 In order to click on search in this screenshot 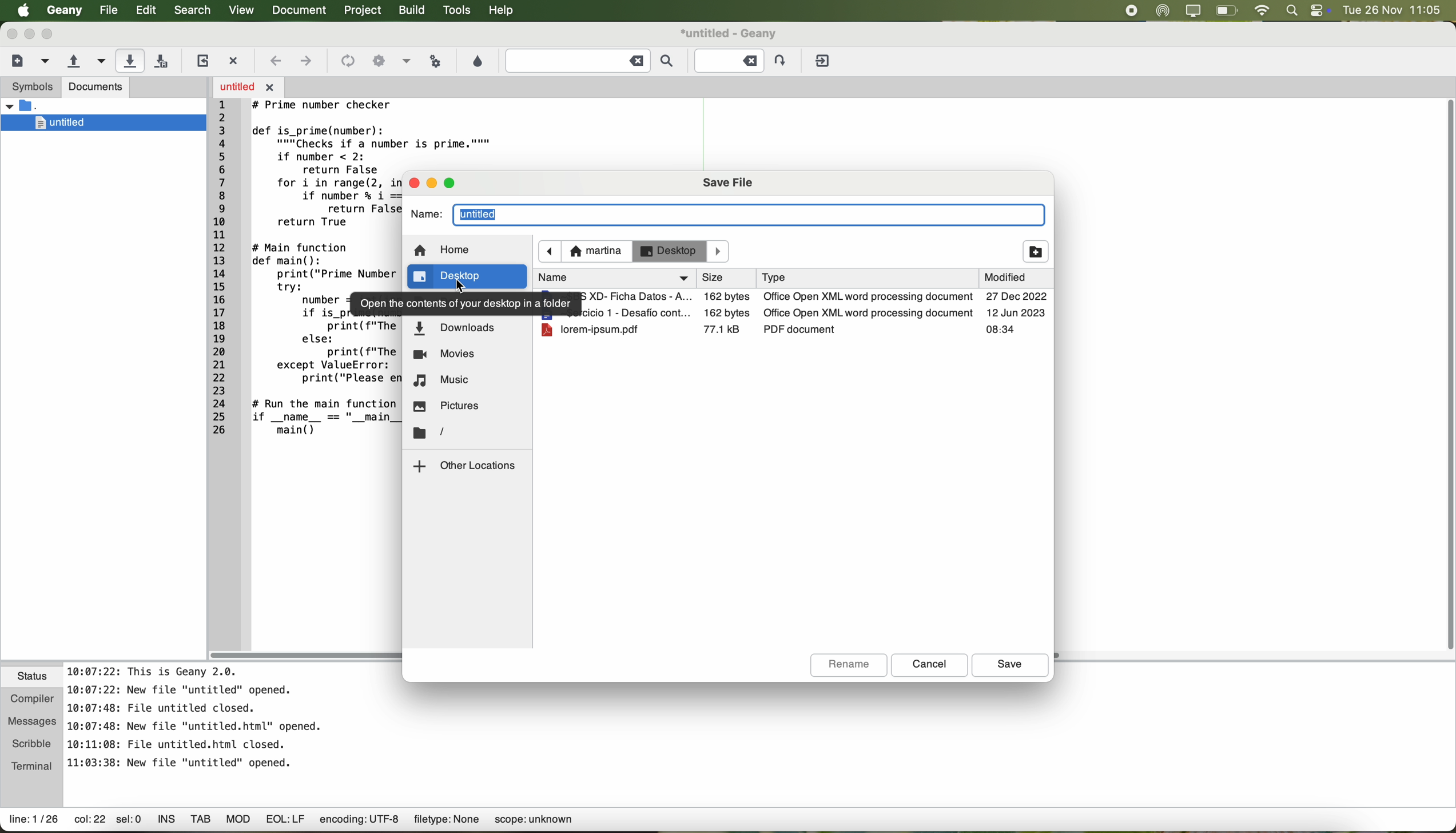, I will do `click(192, 11)`.